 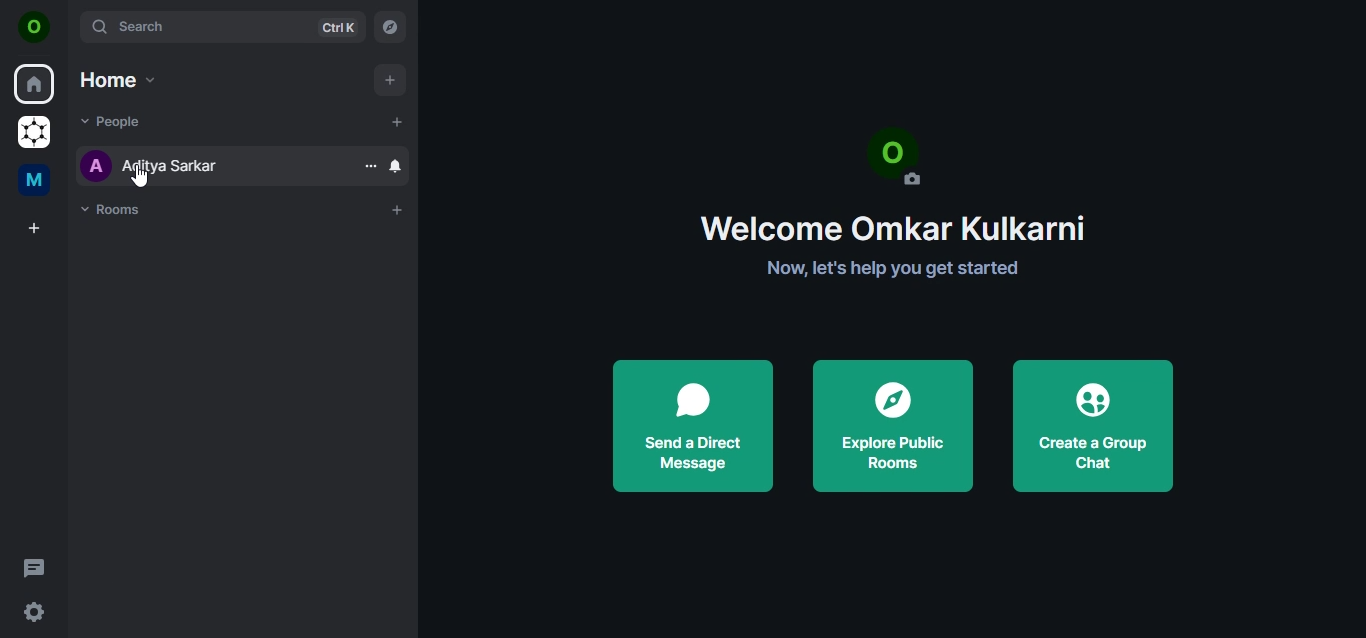 I want to click on home, so click(x=36, y=85).